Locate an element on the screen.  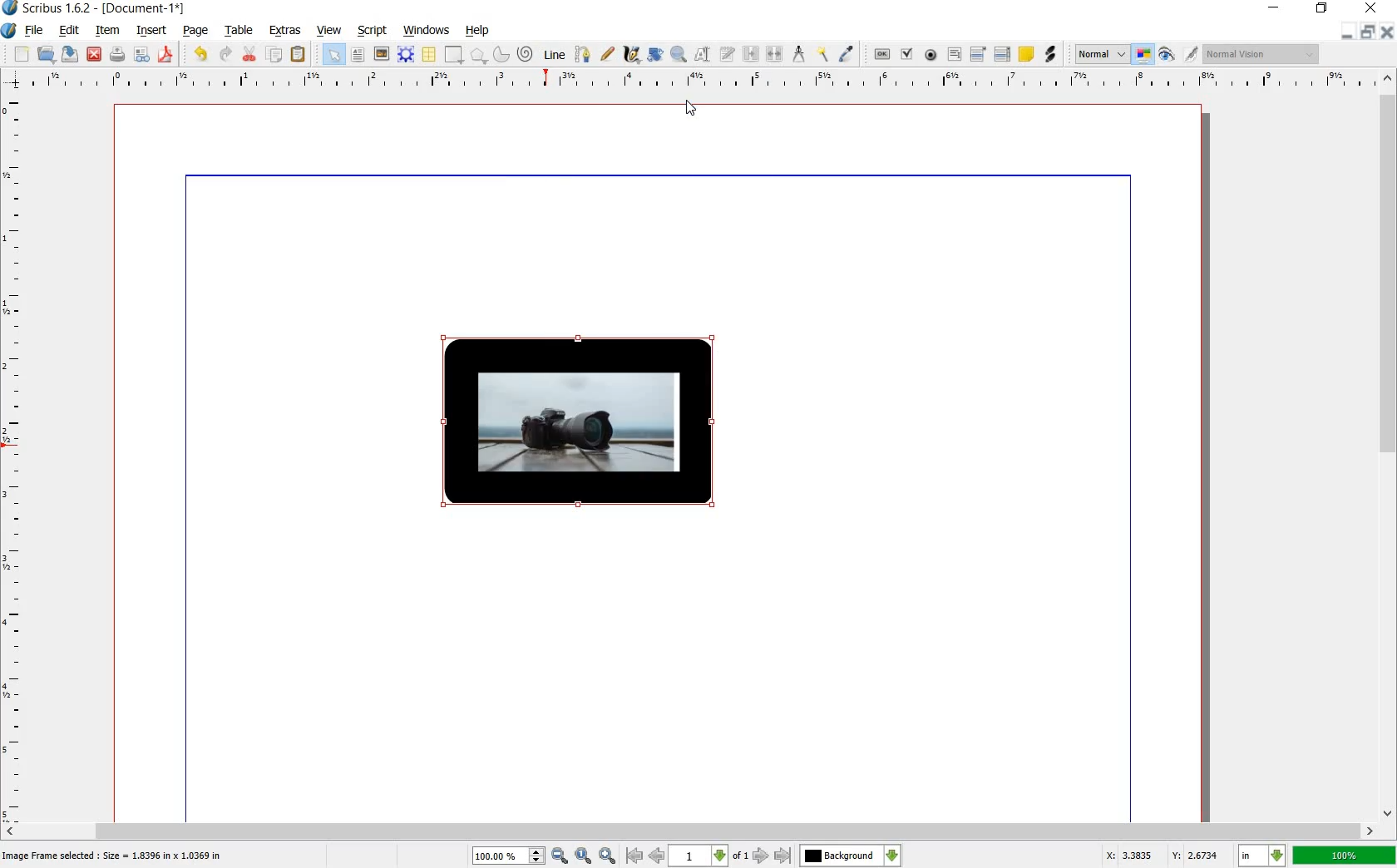
restore document is located at coordinates (1369, 31).